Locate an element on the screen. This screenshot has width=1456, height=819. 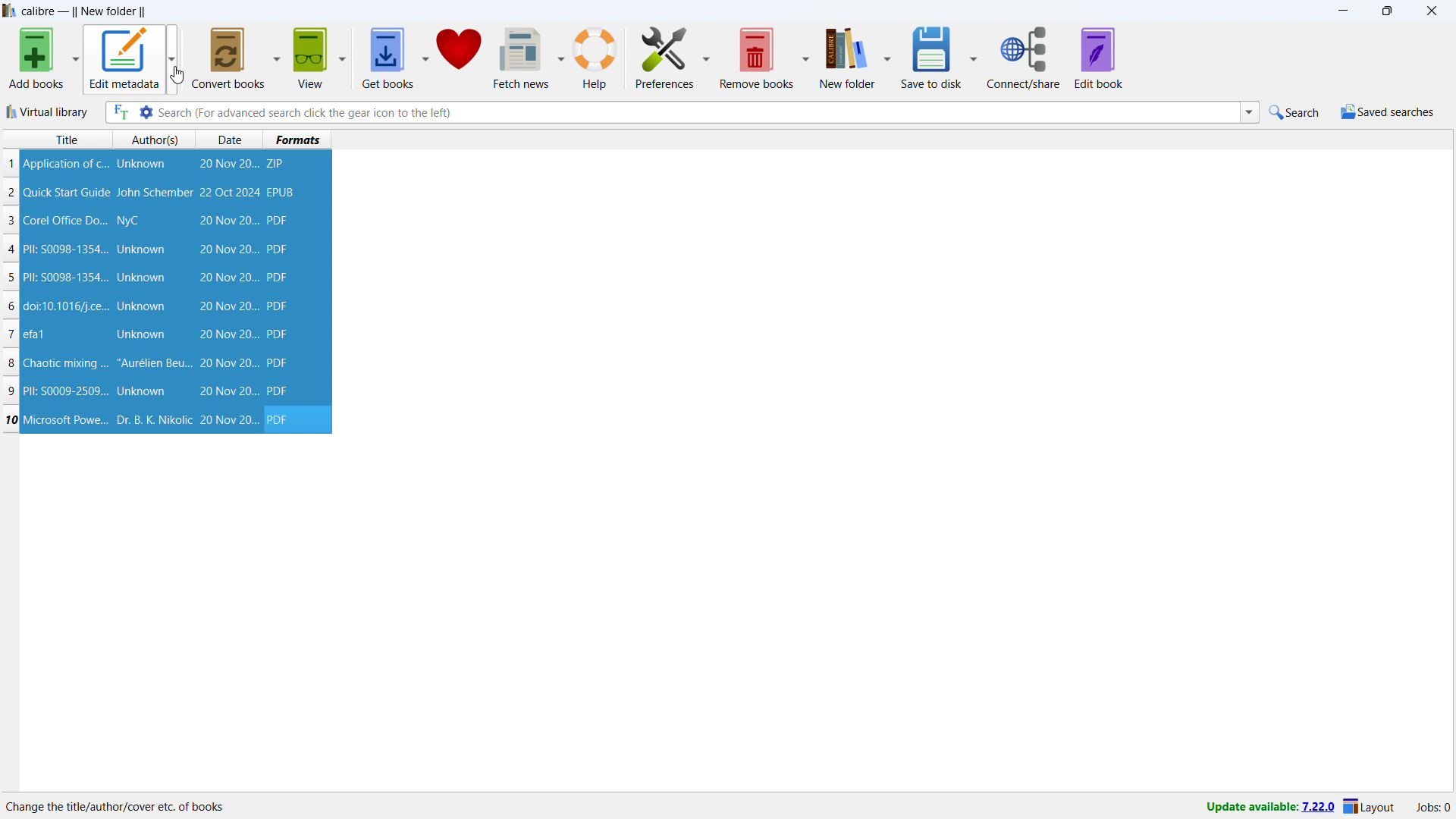
Search (For advanced search click the gear icon to the left) is located at coordinates (696, 111).